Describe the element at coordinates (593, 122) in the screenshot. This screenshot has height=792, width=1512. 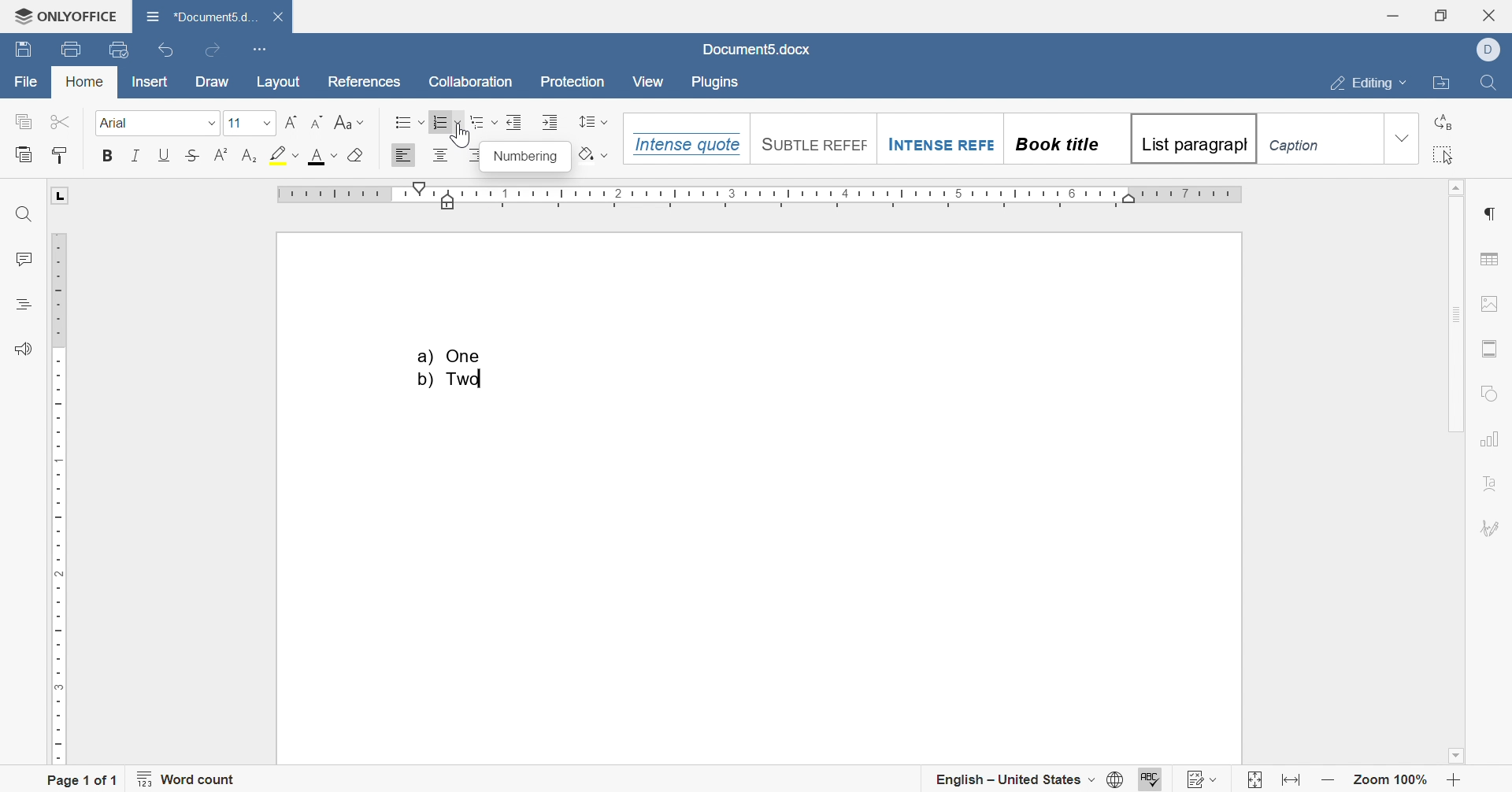
I see `line spacing` at that location.